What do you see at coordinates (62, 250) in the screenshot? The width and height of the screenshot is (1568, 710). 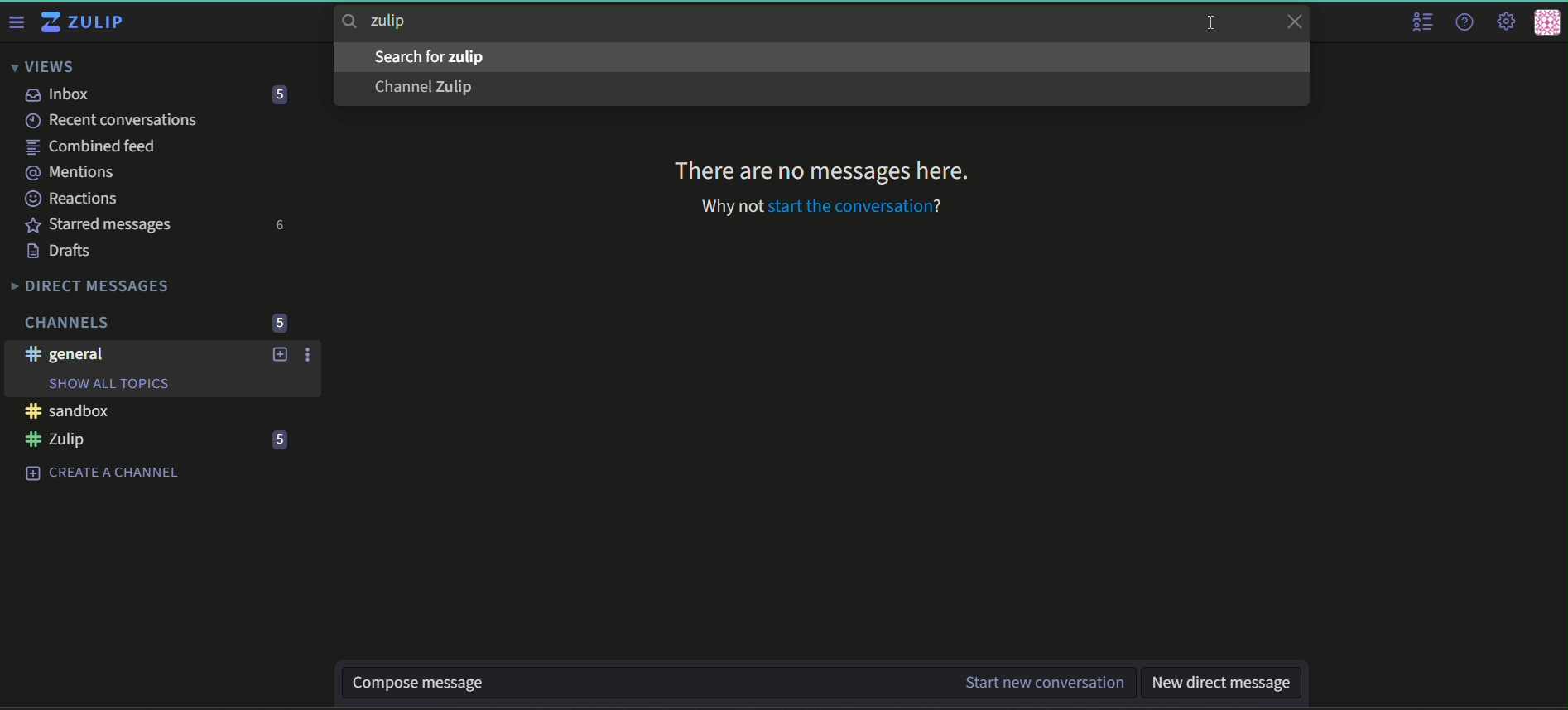 I see `Drafts` at bounding box center [62, 250].